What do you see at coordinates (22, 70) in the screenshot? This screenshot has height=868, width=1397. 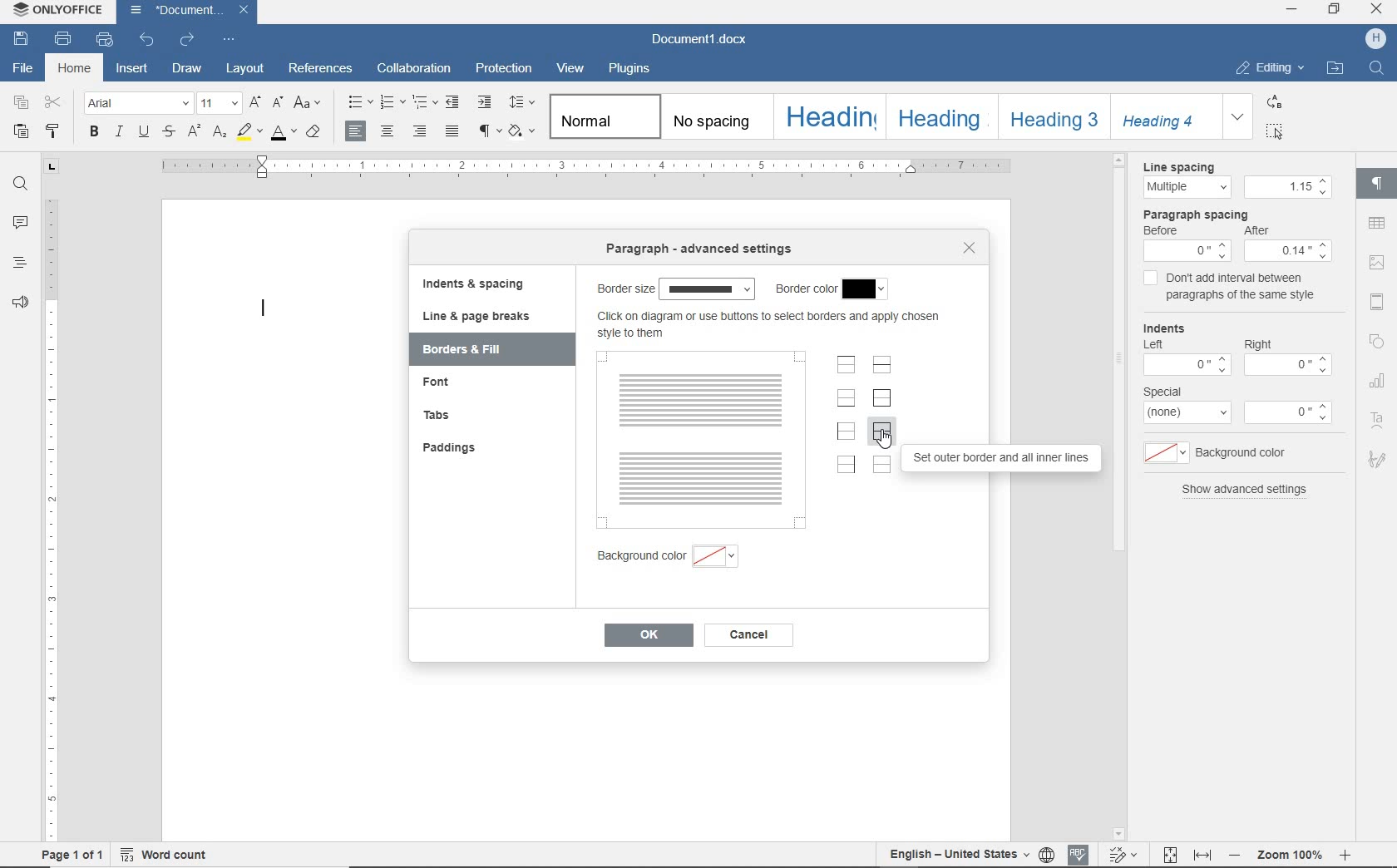 I see `file` at bounding box center [22, 70].